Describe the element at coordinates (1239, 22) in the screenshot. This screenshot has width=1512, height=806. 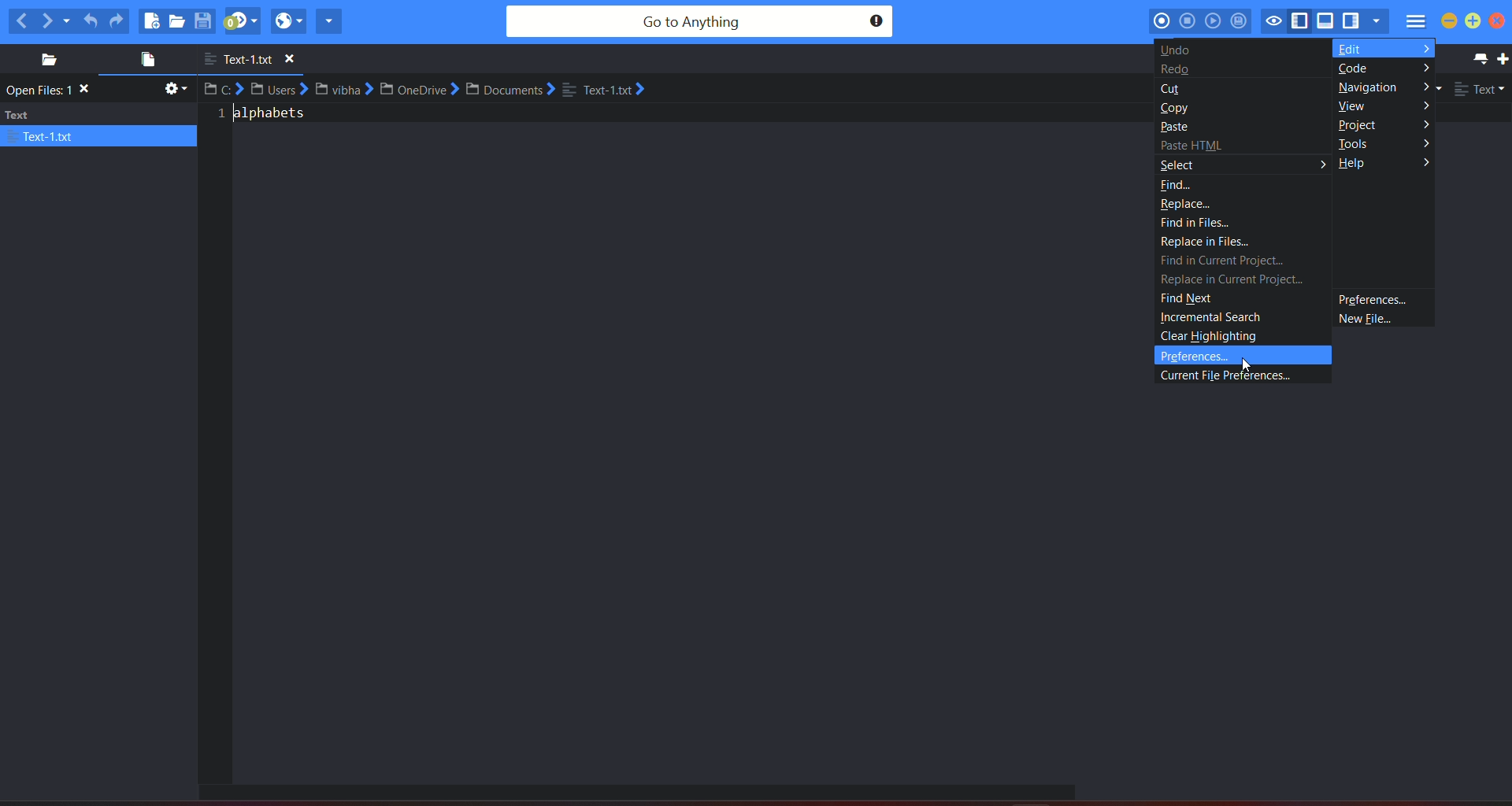
I see `save macro` at that location.